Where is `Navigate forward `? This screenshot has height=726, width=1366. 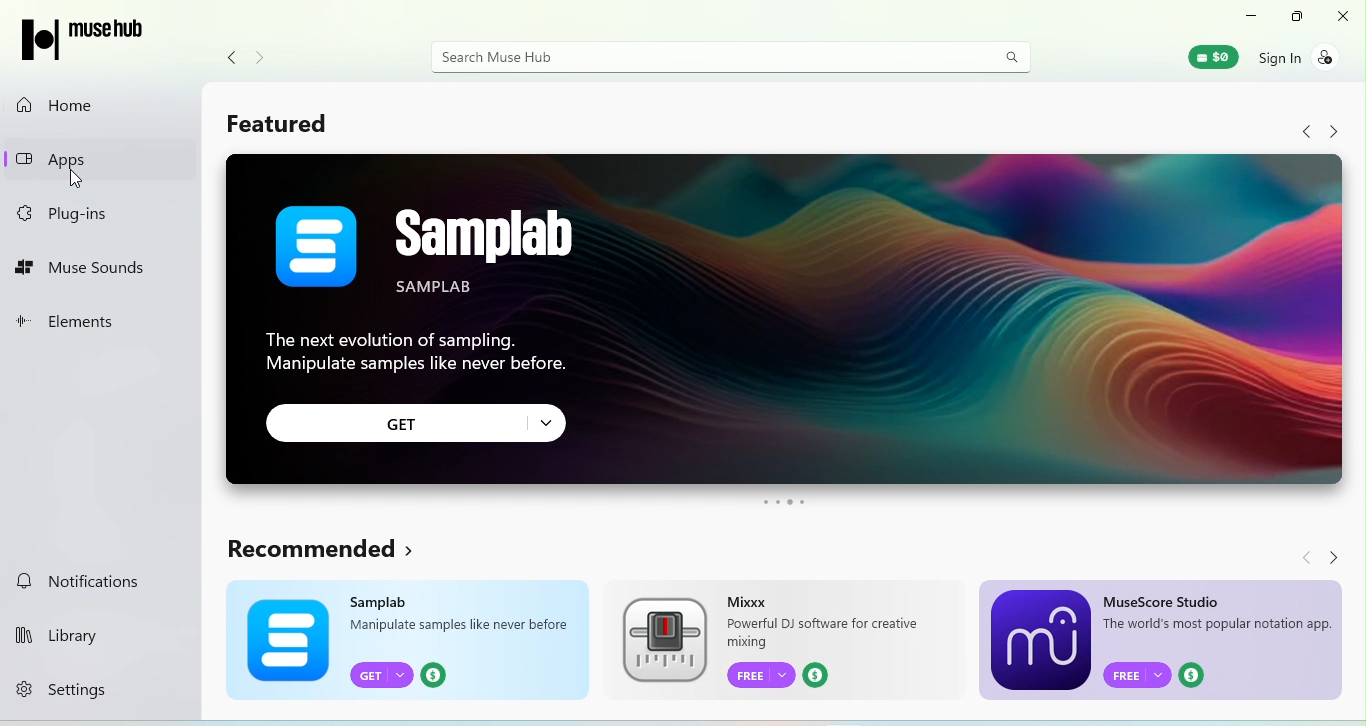 Navigate forward  is located at coordinates (1344, 555).